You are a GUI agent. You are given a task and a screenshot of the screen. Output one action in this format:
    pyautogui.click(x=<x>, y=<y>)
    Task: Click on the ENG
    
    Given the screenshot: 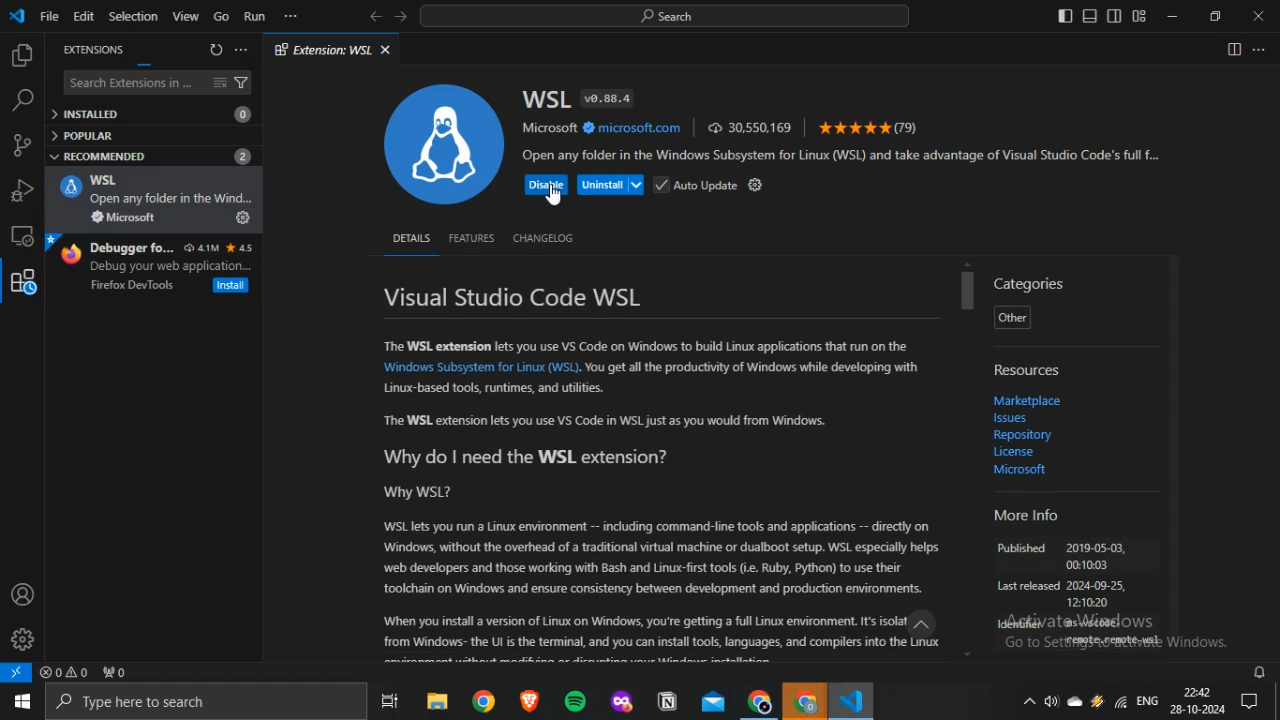 What is the action you would take?
    pyautogui.click(x=1147, y=700)
    